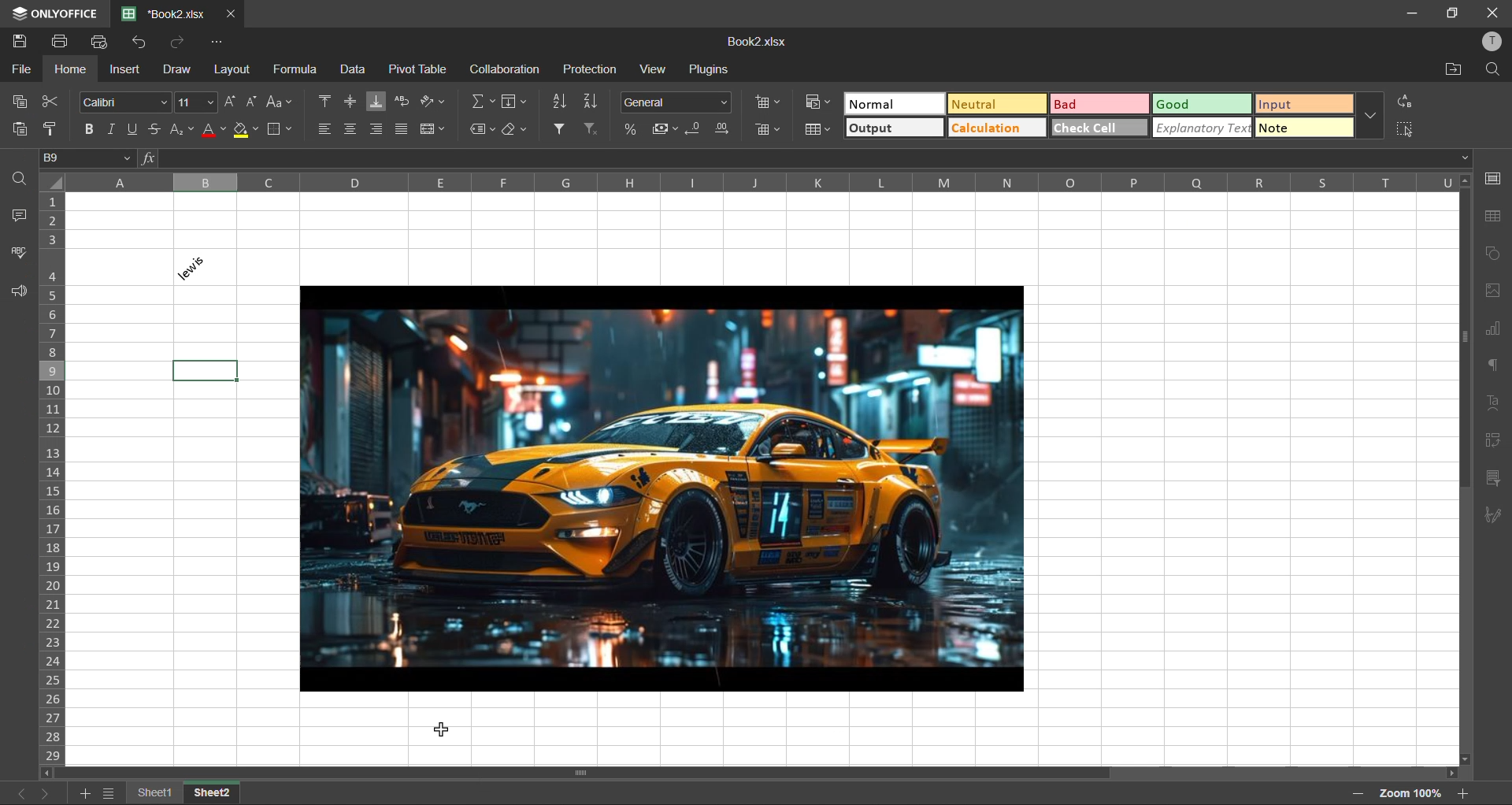 This screenshot has height=805, width=1512. I want to click on next, so click(43, 793).